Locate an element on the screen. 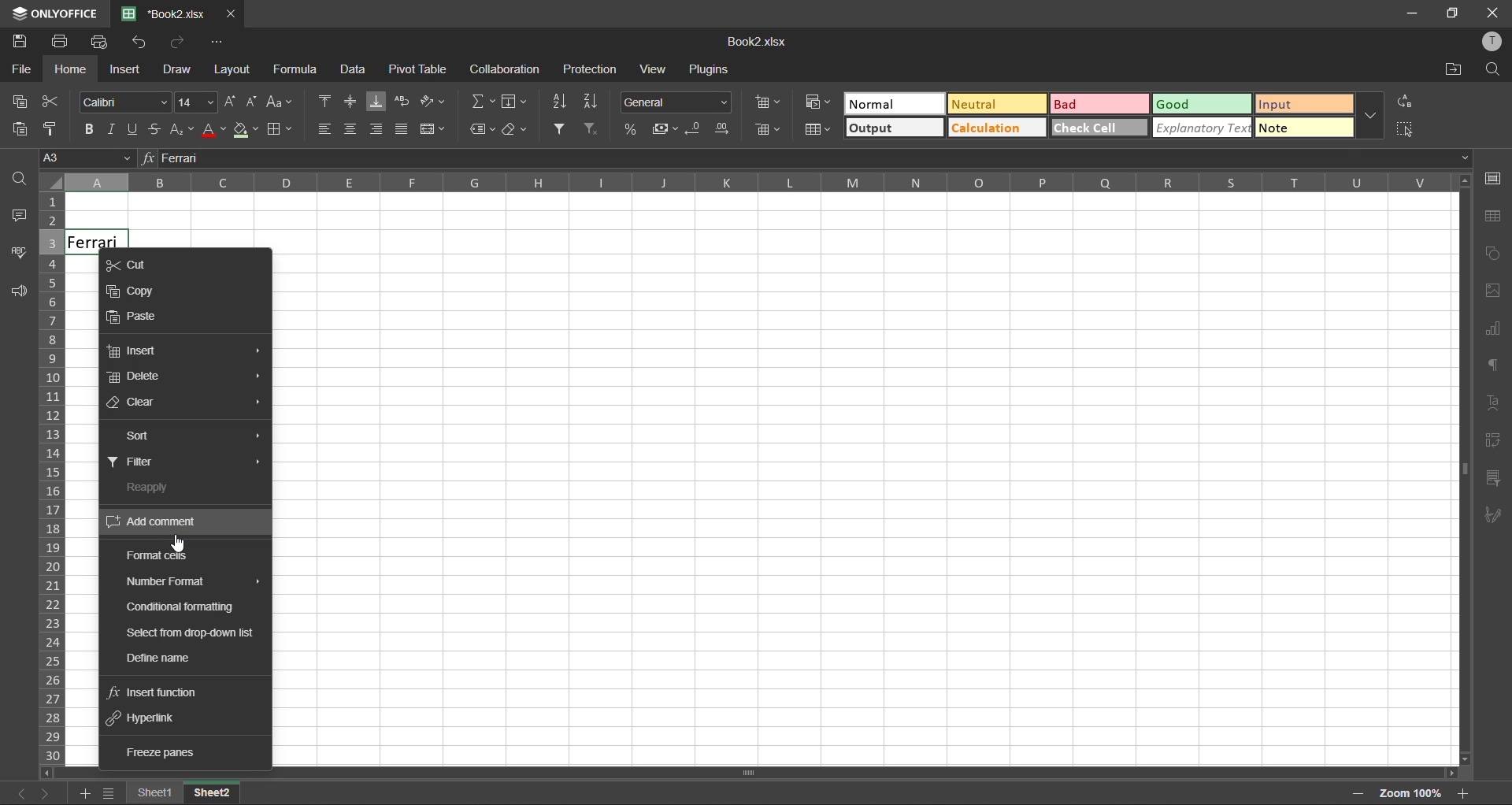  filter is located at coordinates (141, 462).